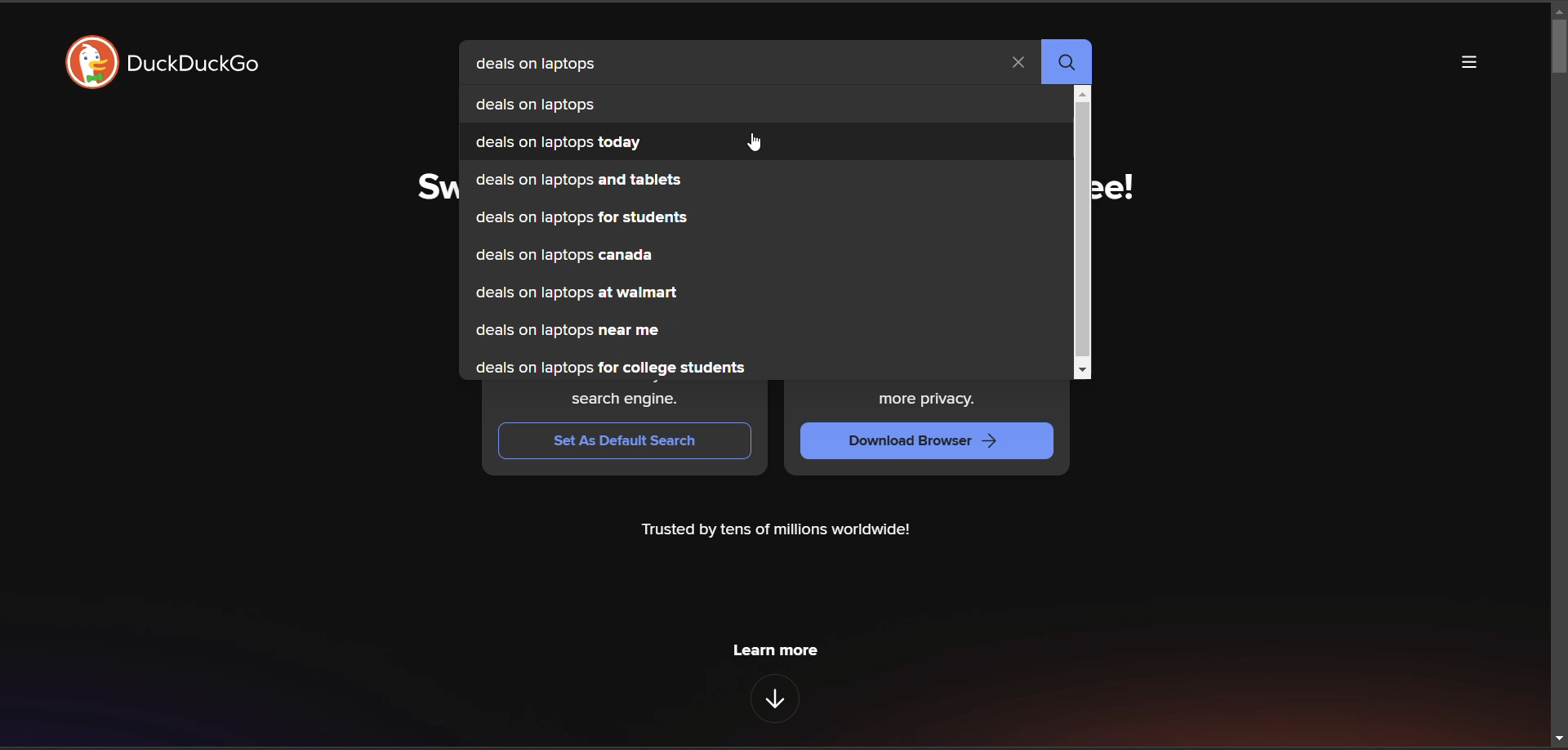 Image resolution: width=1568 pixels, height=750 pixels. I want to click on metadata, so click(777, 532).